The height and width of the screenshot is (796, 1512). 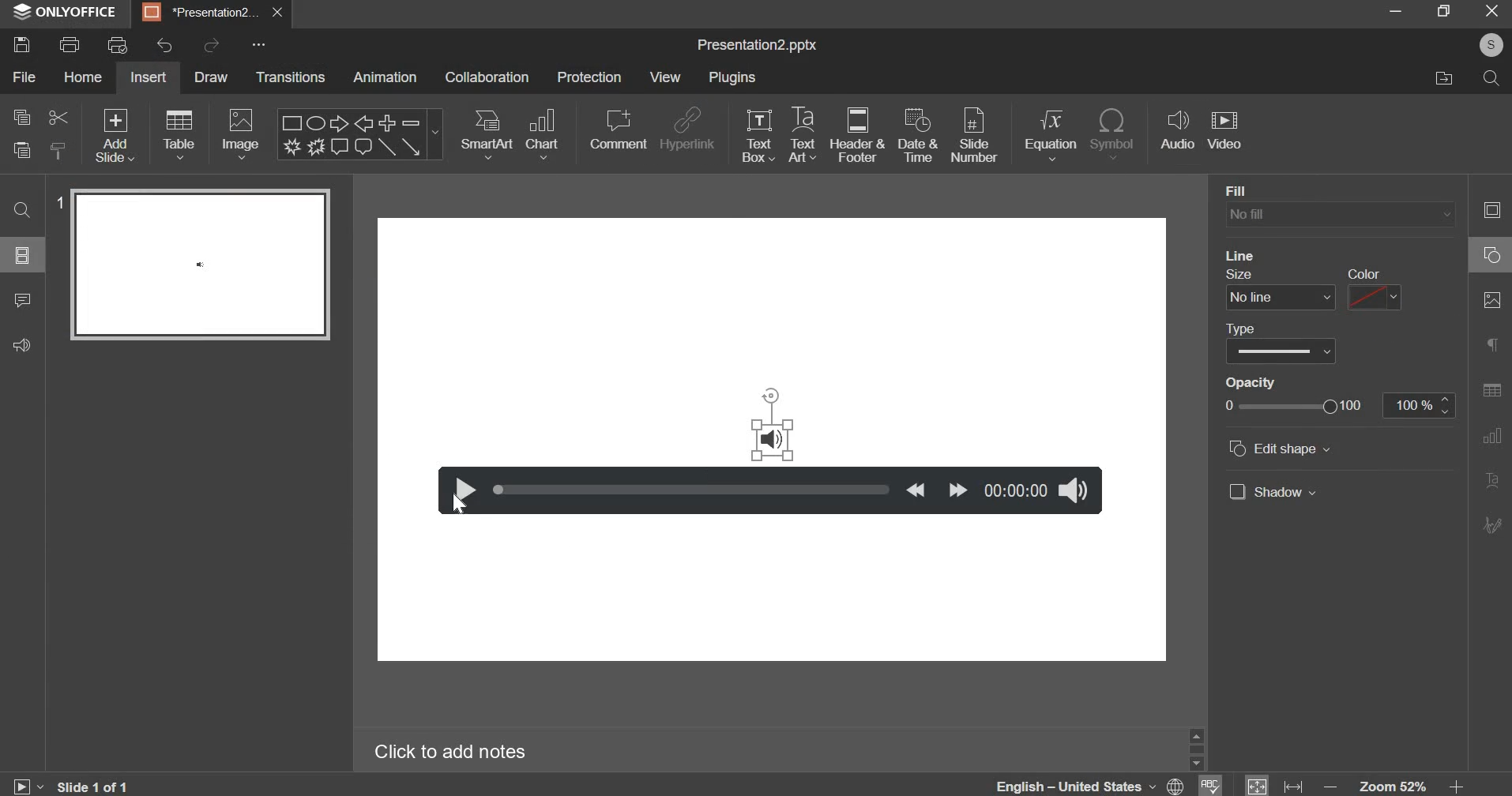 I want to click on slide number, so click(x=976, y=133).